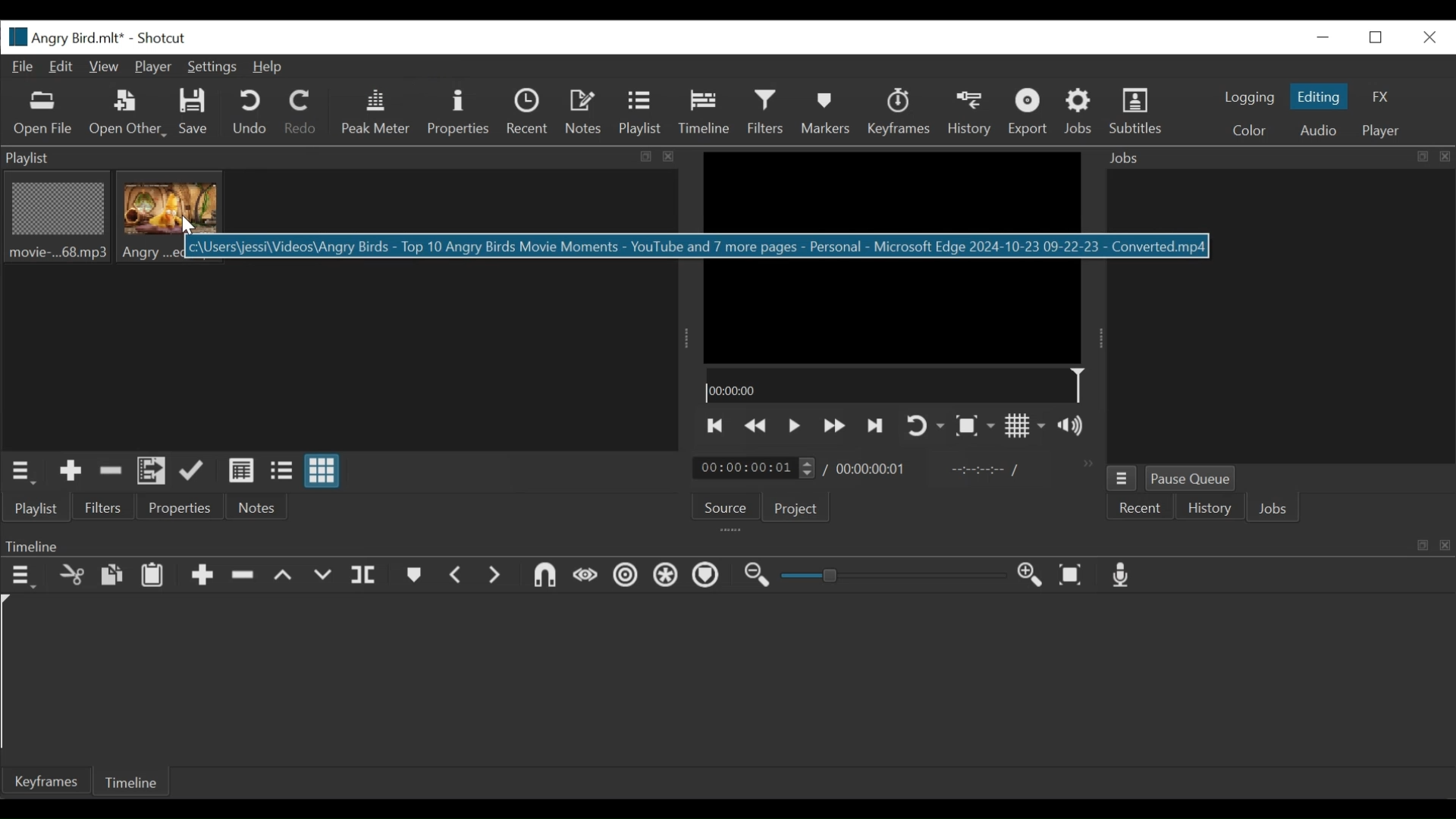  What do you see at coordinates (249, 113) in the screenshot?
I see `Undo` at bounding box center [249, 113].